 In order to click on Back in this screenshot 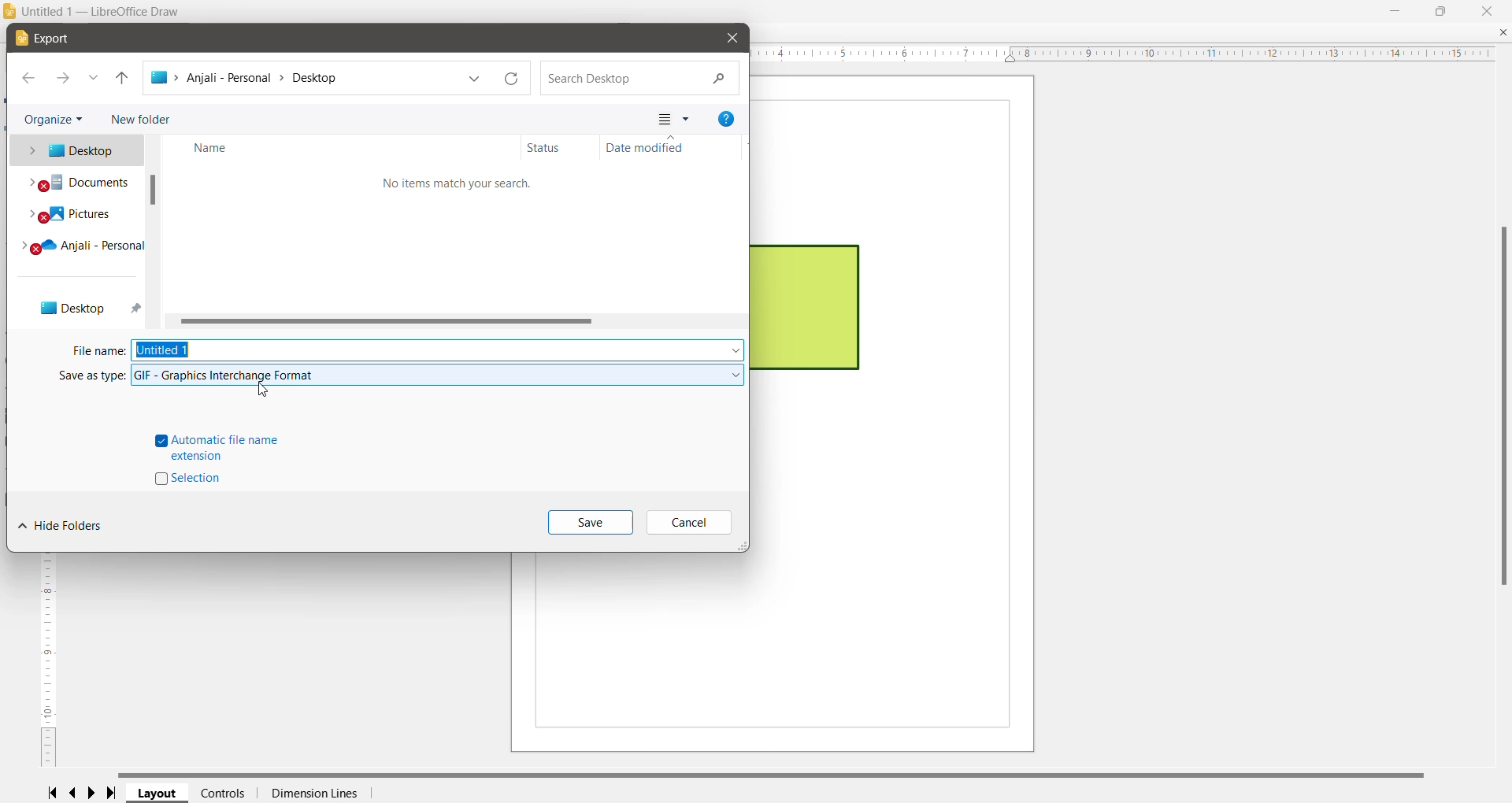, I will do `click(29, 79)`.